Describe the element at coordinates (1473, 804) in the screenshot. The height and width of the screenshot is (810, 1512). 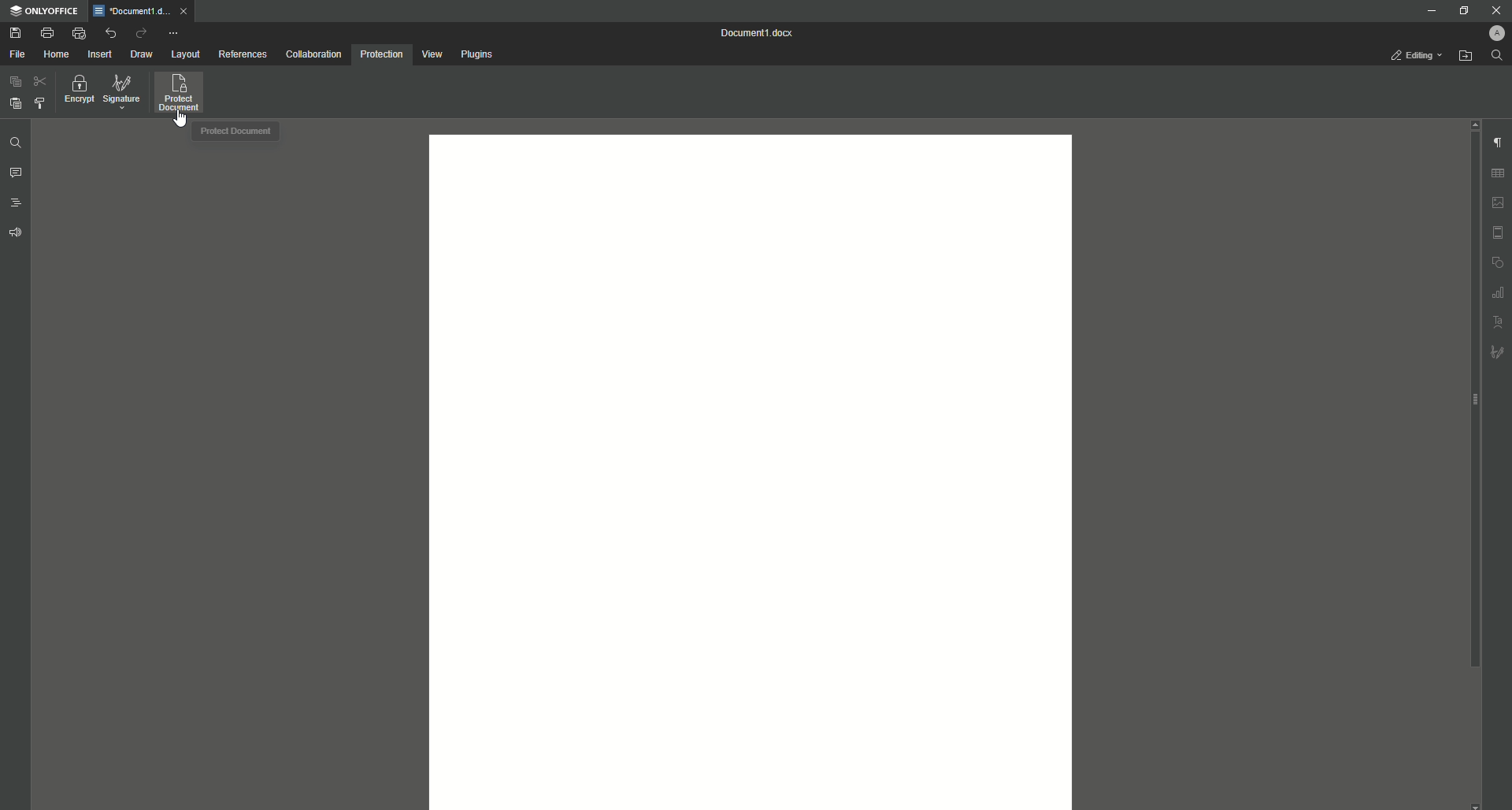
I see `scroll down` at that location.